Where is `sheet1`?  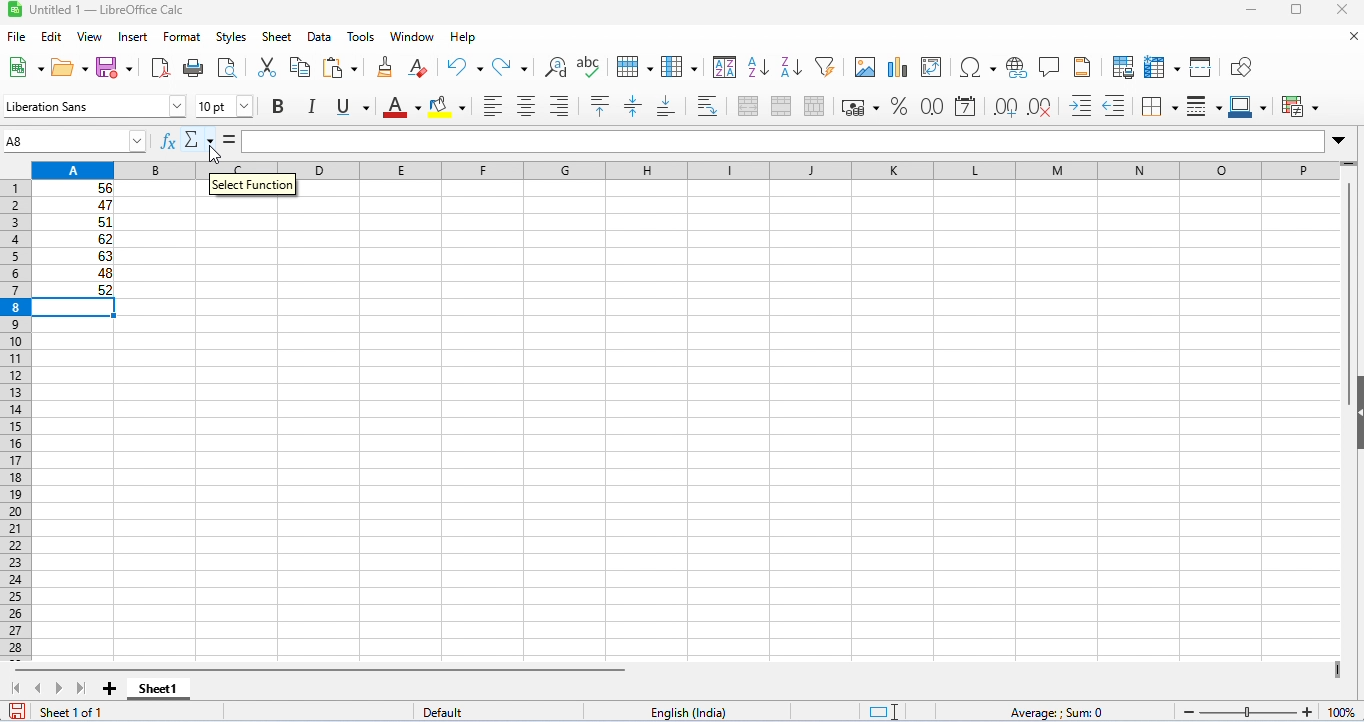
sheet1 is located at coordinates (157, 689).